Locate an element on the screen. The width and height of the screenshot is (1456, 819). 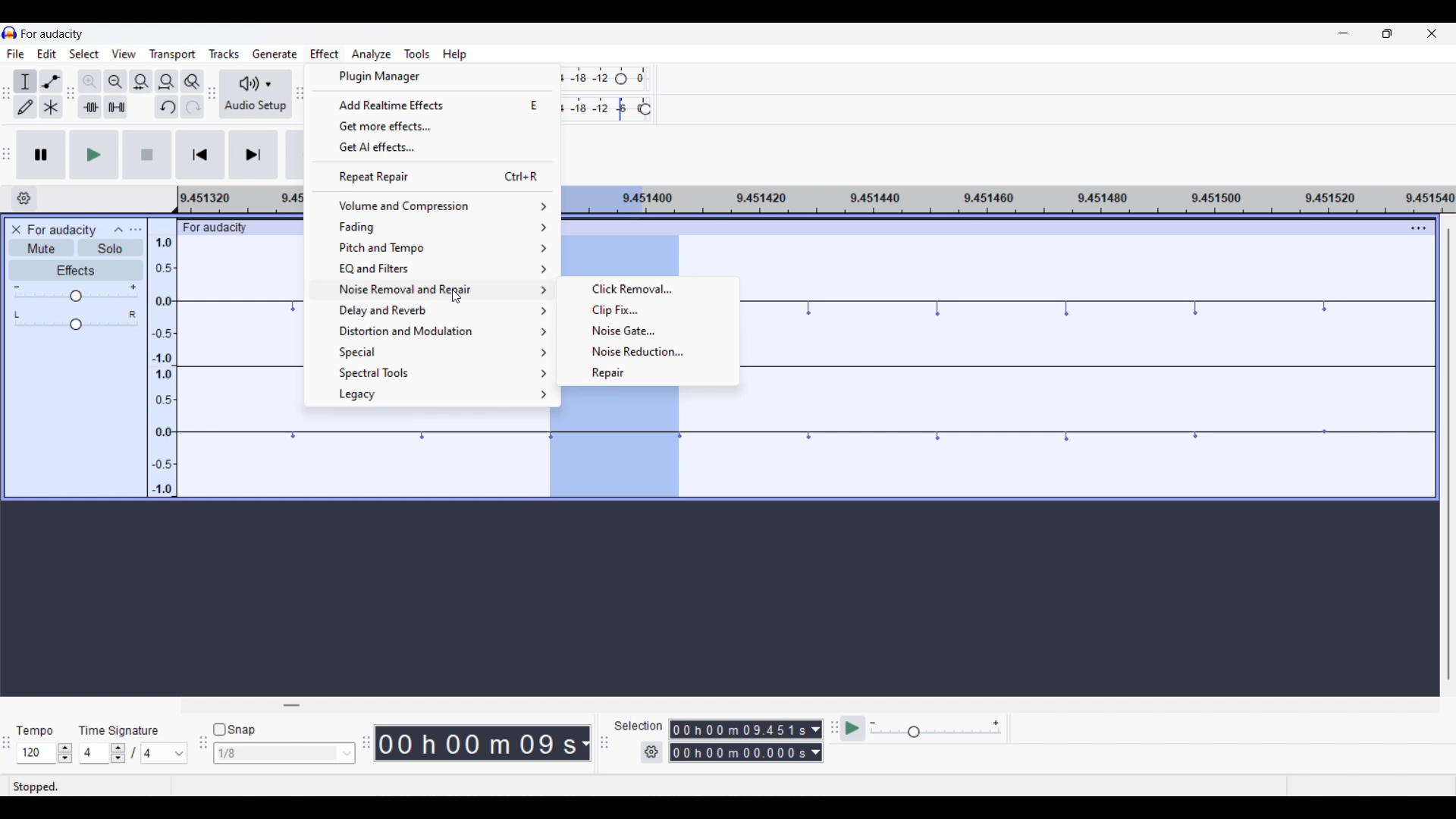
Skip/Select to start is located at coordinates (200, 155).